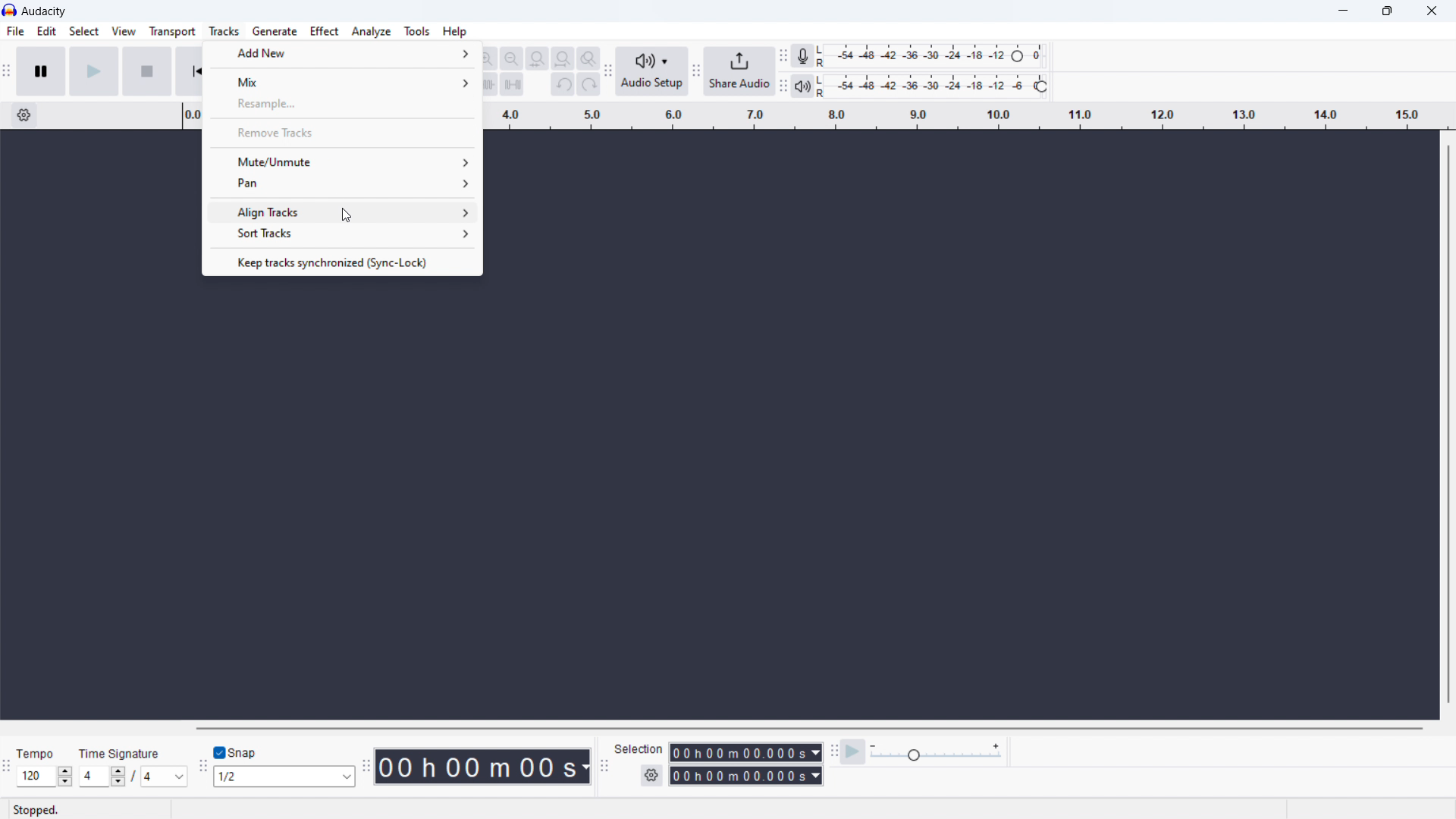 This screenshot has height=819, width=1456. What do you see at coordinates (486, 58) in the screenshot?
I see `zoom in` at bounding box center [486, 58].